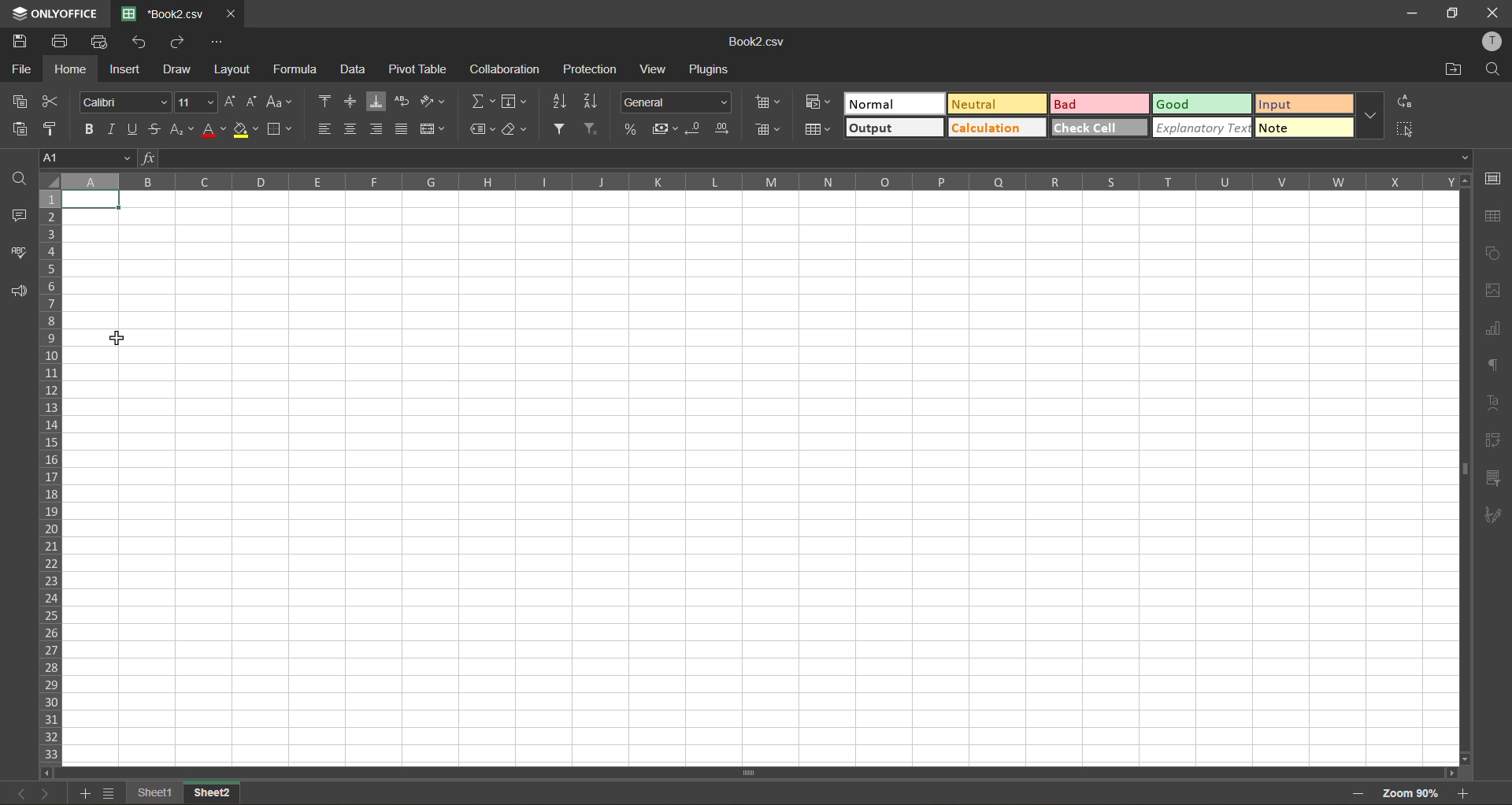  I want to click on zoom out, so click(1358, 791).